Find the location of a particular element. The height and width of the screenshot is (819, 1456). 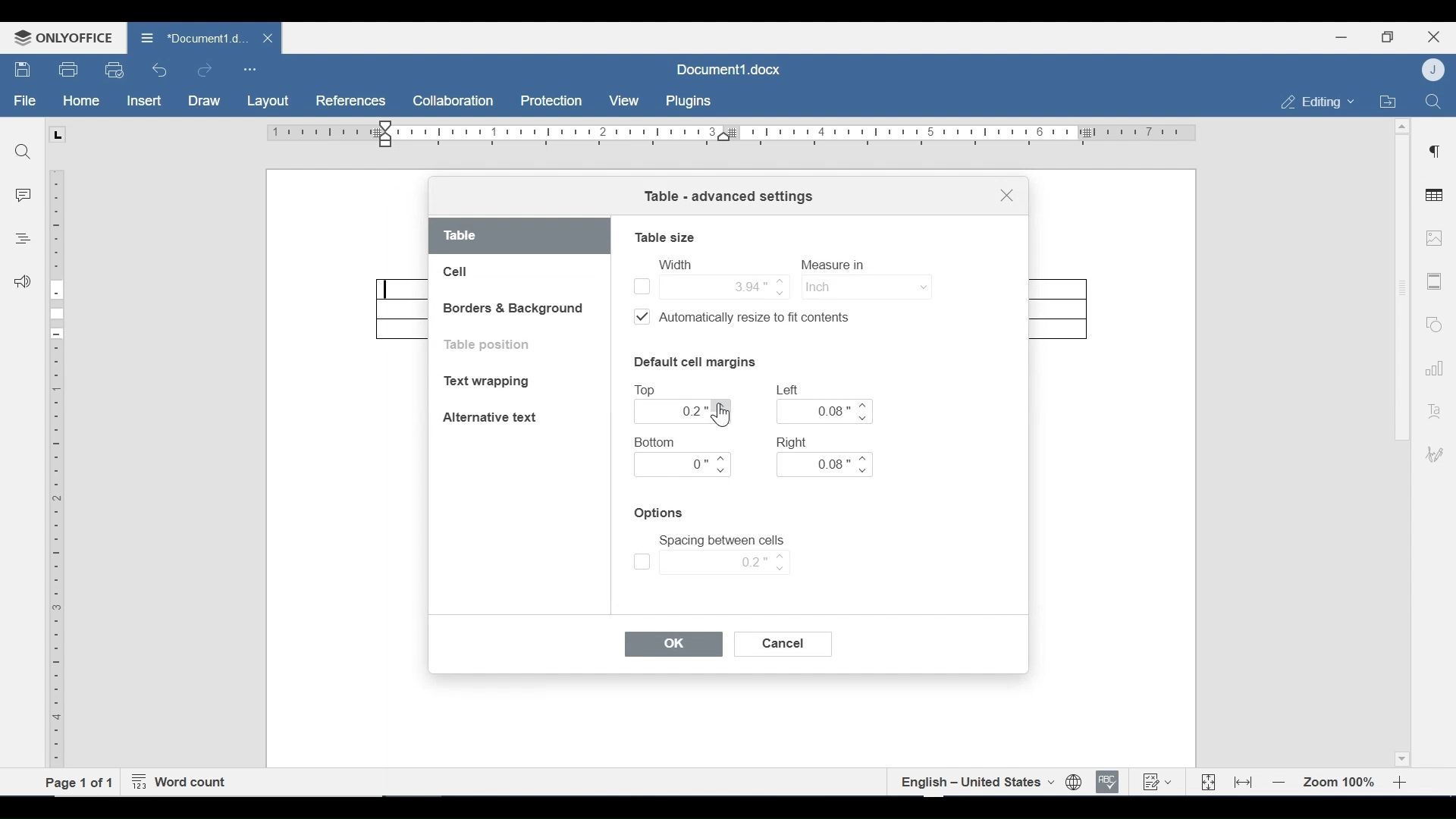

Customize Quick Access Toolbar is located at coordinates (249, 69).